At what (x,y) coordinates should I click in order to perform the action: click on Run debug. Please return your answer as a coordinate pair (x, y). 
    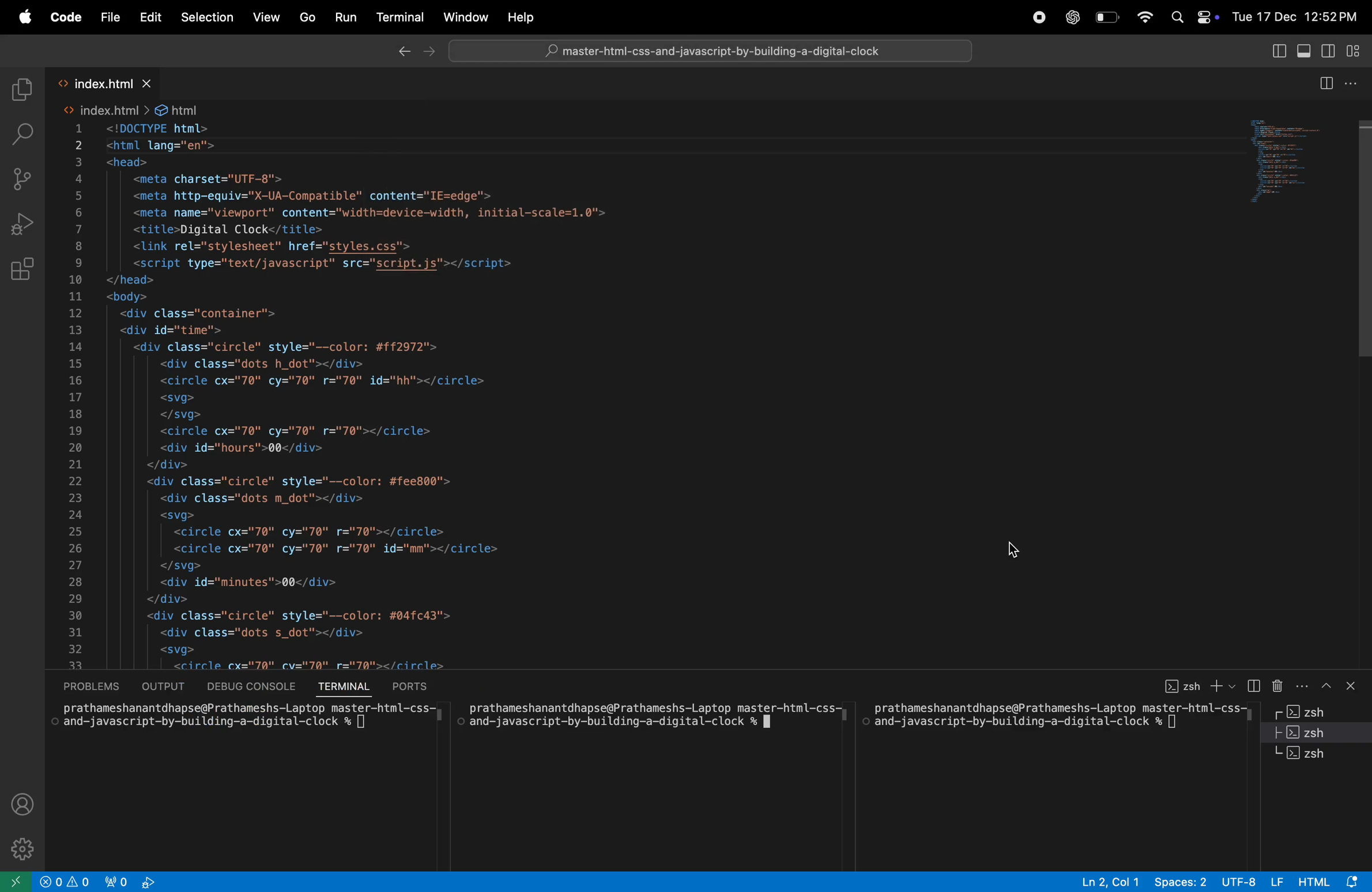
    Looking at the image, I should click on (25, 222).